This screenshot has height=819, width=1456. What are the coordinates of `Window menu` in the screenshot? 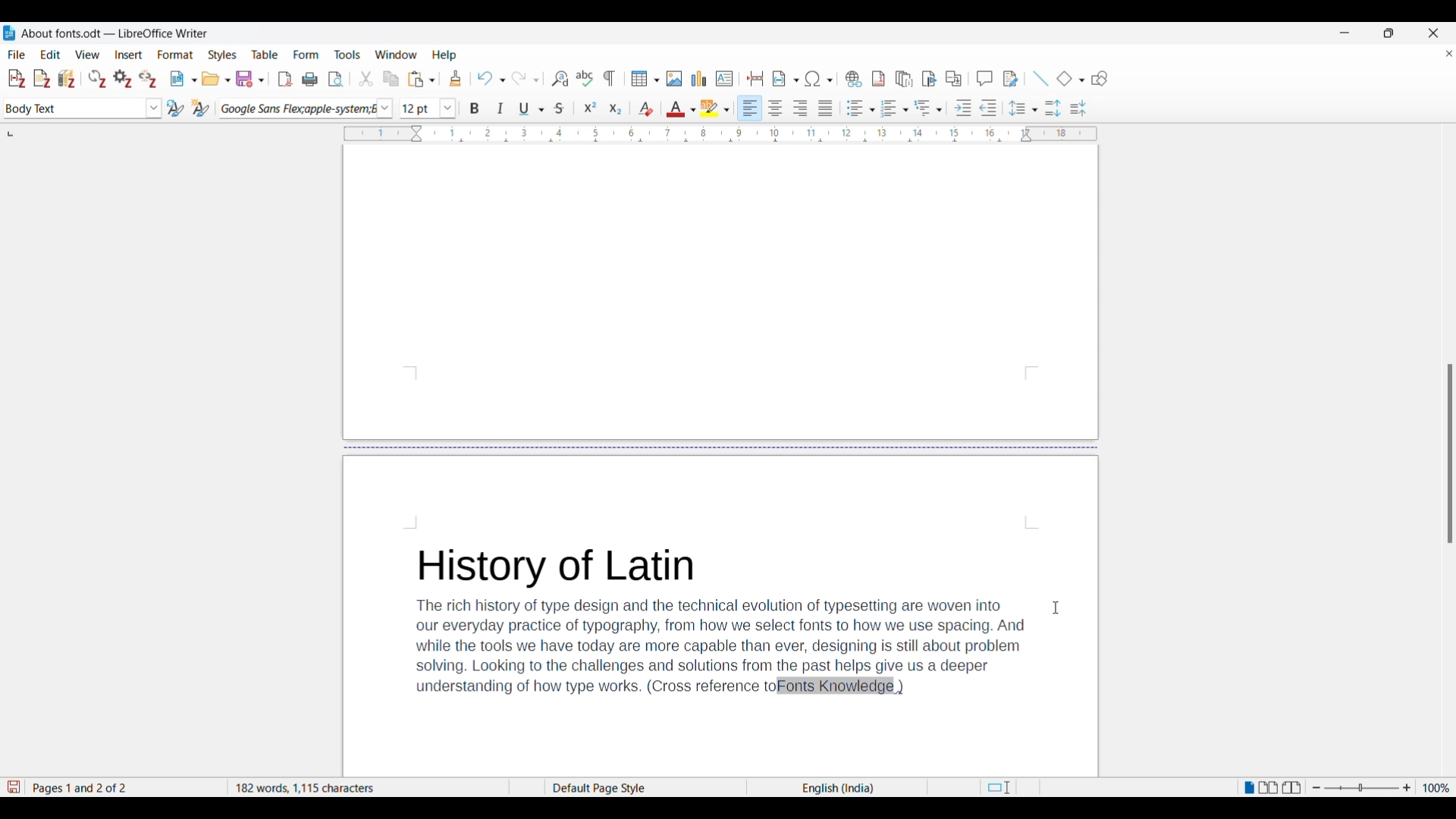 It's located at (397, 55).